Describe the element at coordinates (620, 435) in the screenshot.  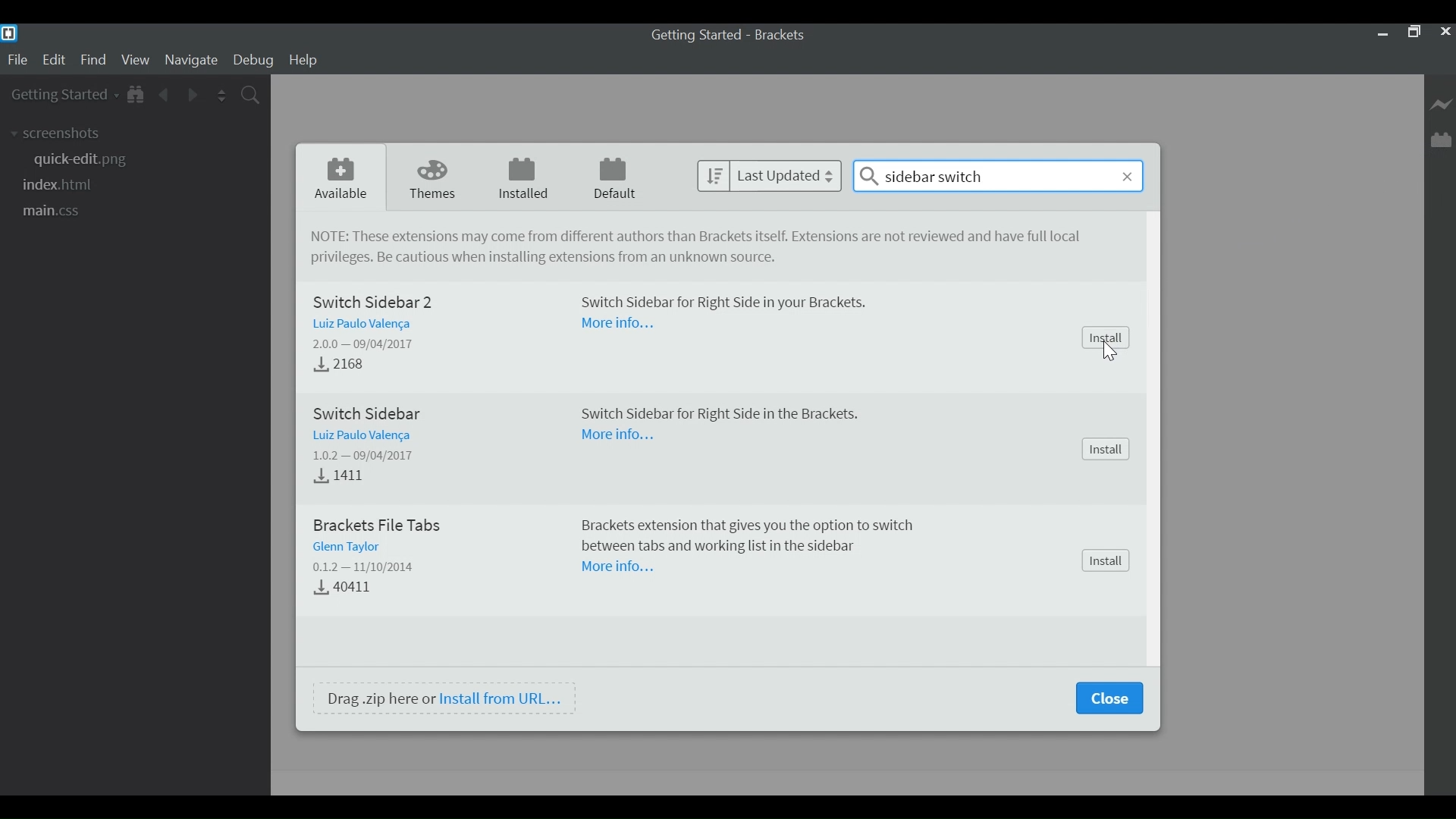
I see `More Information` at that location.